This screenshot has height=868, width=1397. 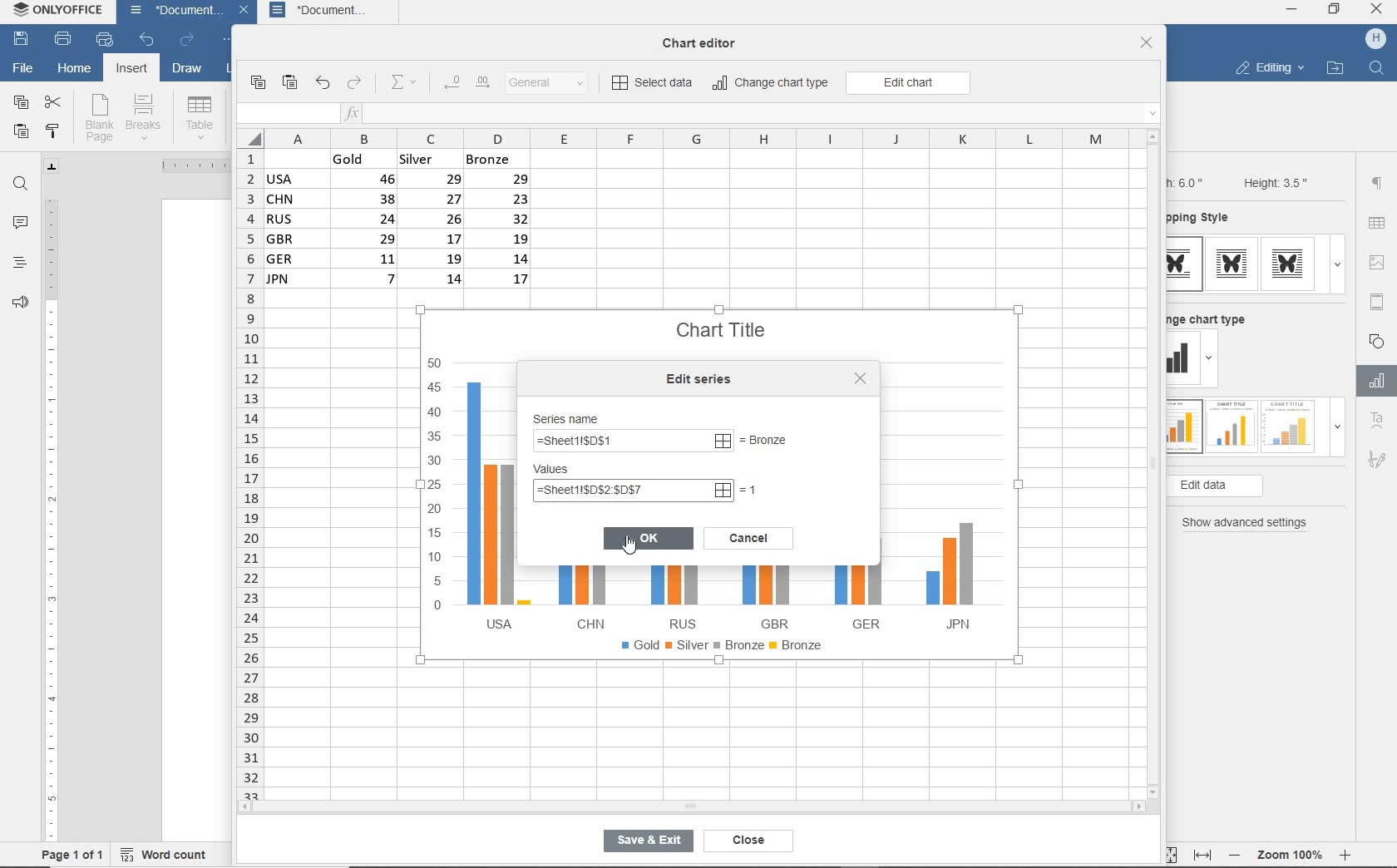 I want to click on paragraph settings, so click(x=1377, y=183).